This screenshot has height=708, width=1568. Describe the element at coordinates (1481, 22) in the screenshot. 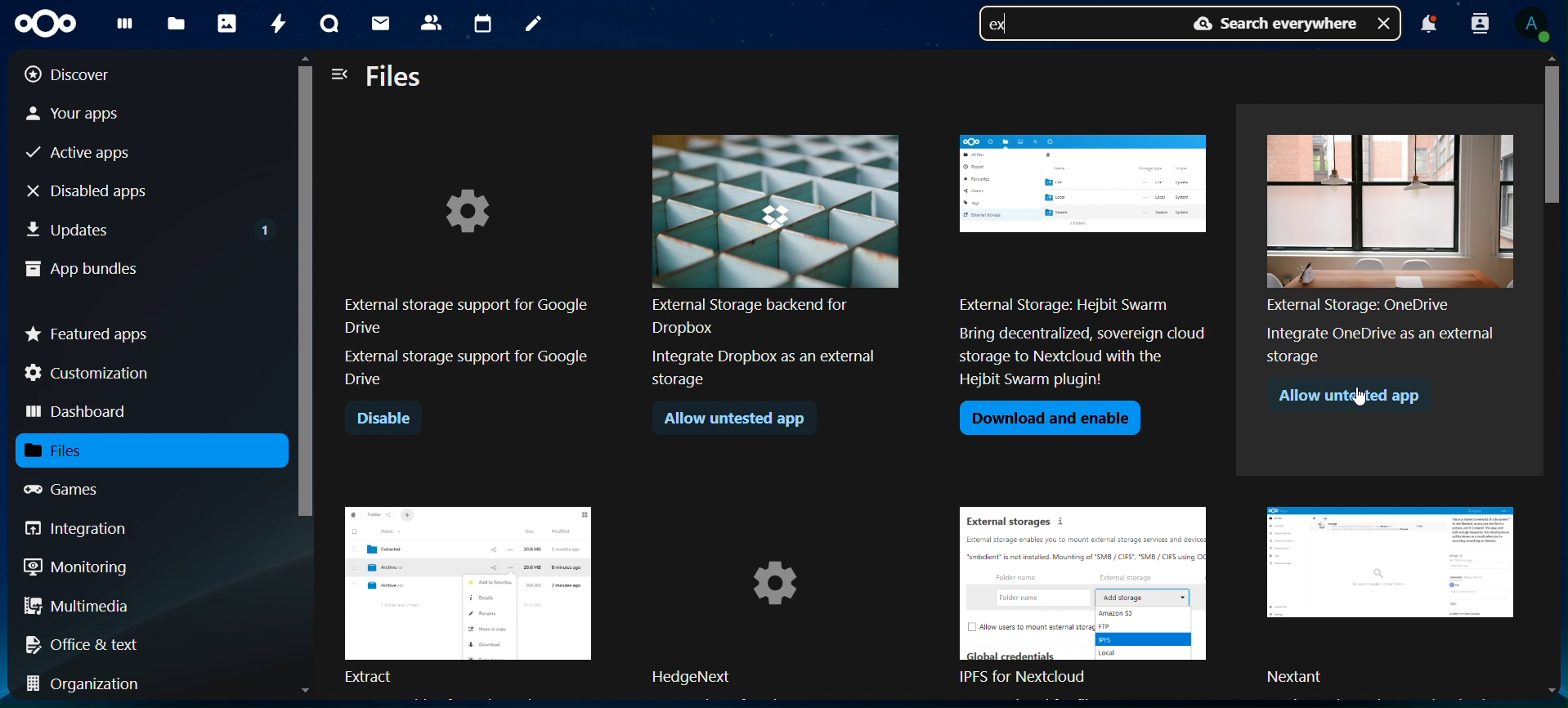

I see `search profile` at that location.